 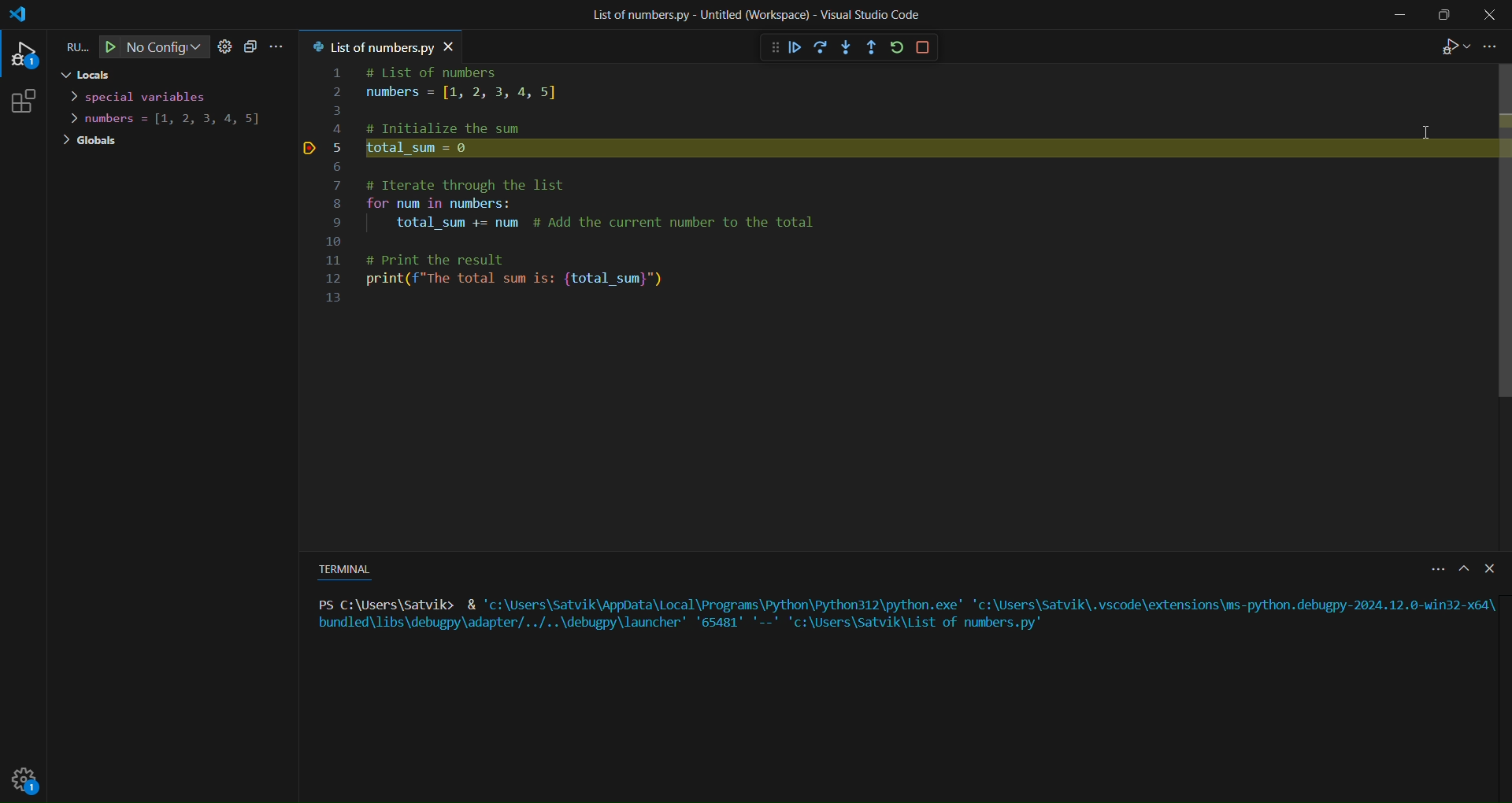 What do you see at coordinates (459, 46) in the screenshot?
I see `Close` at bounding box center [459, 46].